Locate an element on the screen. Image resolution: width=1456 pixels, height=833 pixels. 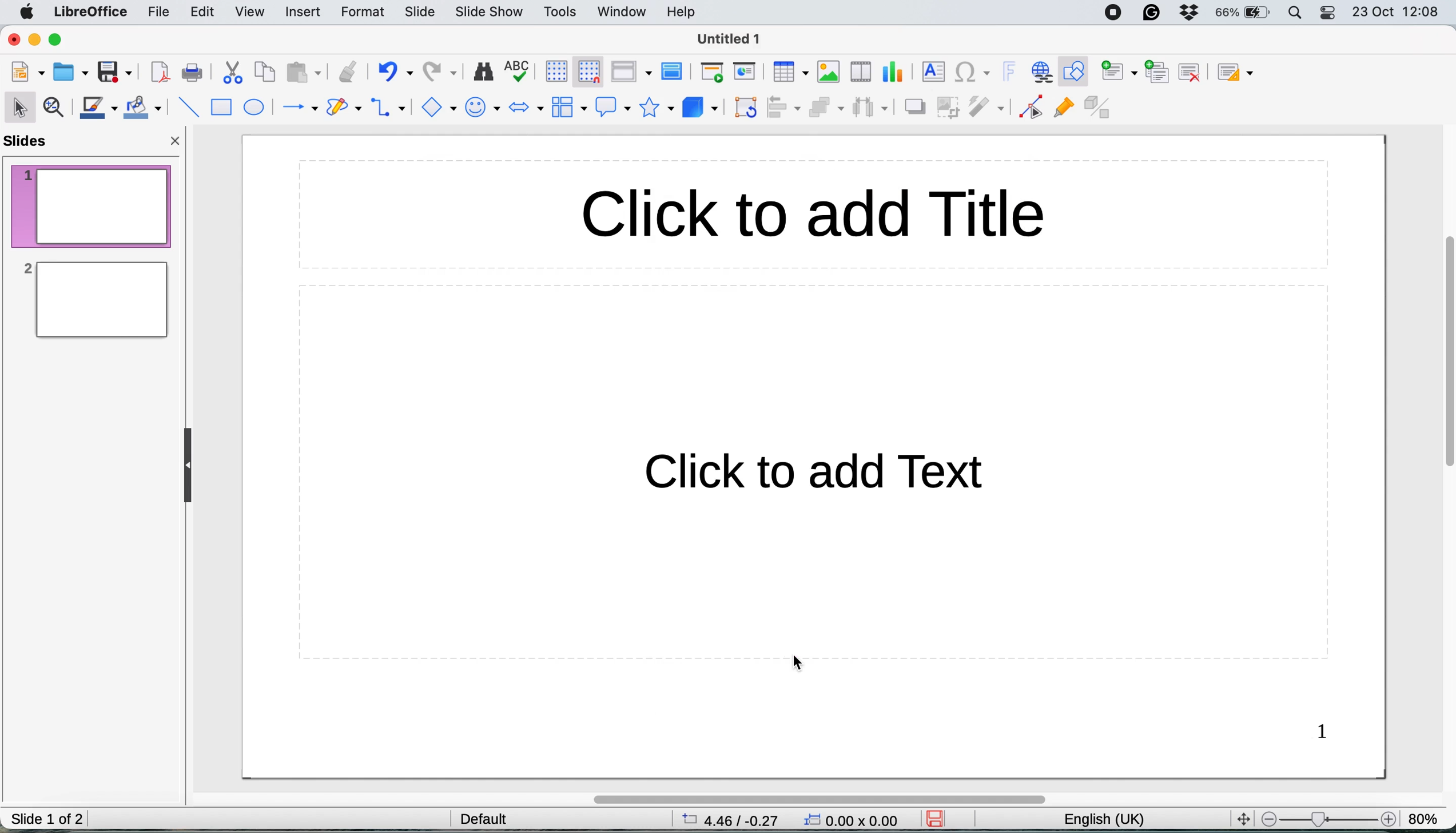
save is located at coordinates (940, 819).